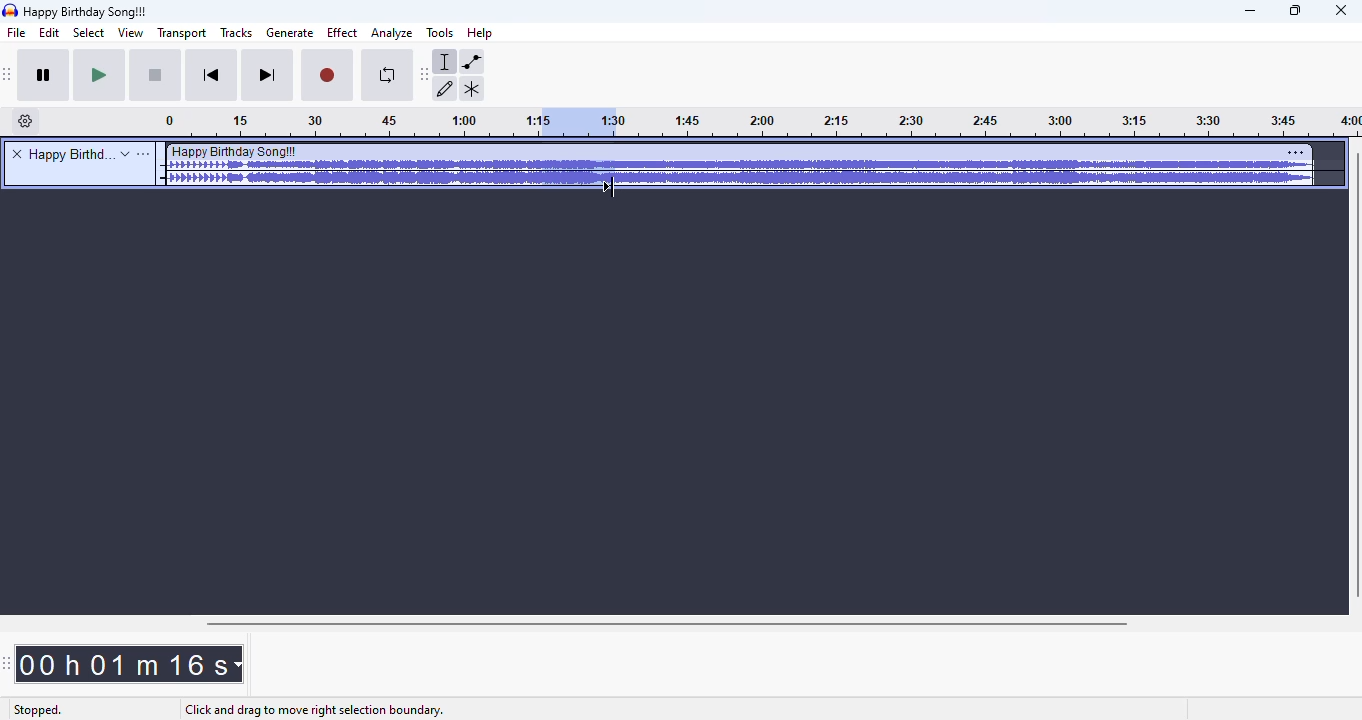  I want to click on audacity tools toolbar, so click(424, 75).